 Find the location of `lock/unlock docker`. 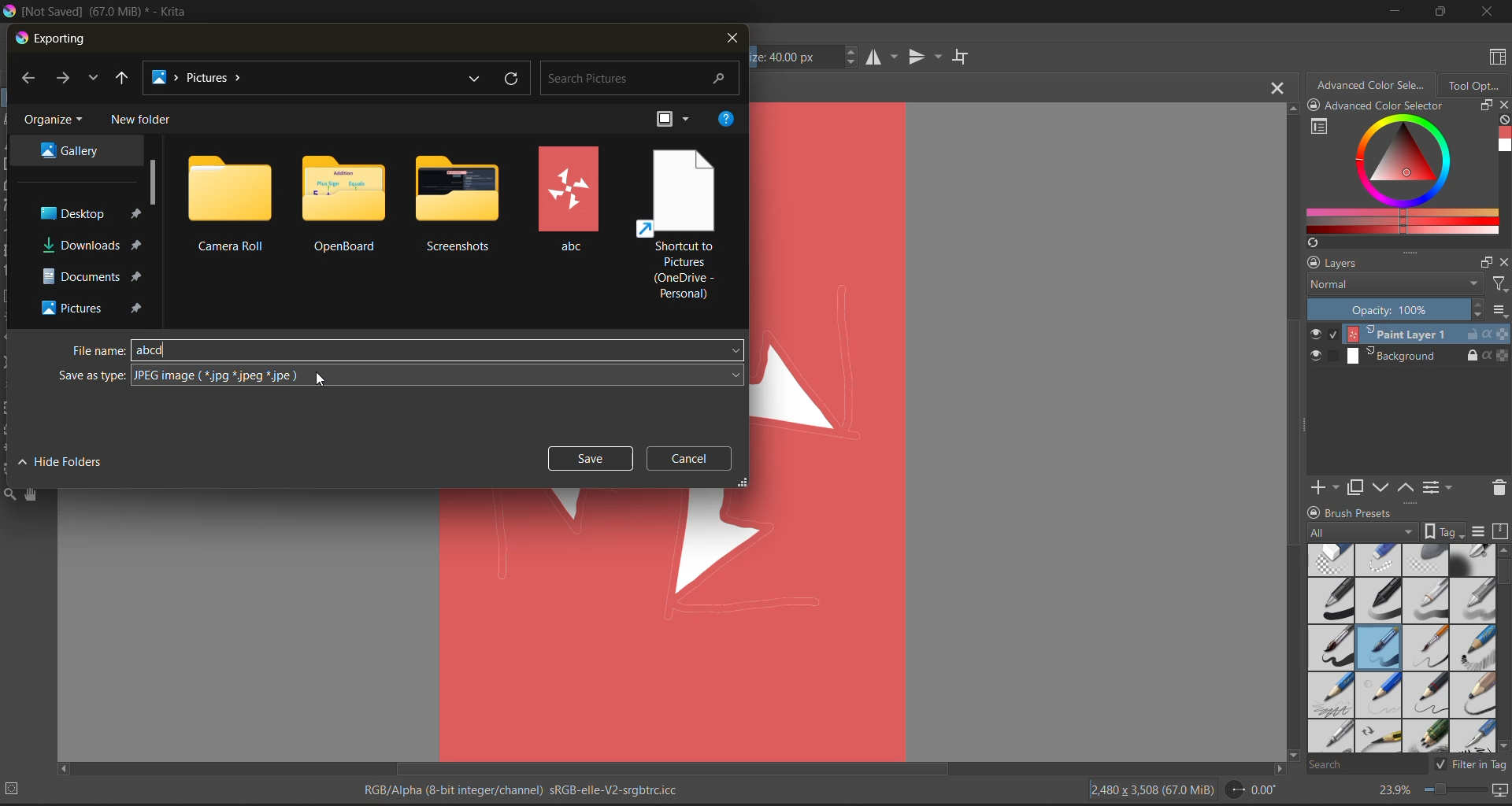

lock/unlock docker is located at coordinates (1317, 106).